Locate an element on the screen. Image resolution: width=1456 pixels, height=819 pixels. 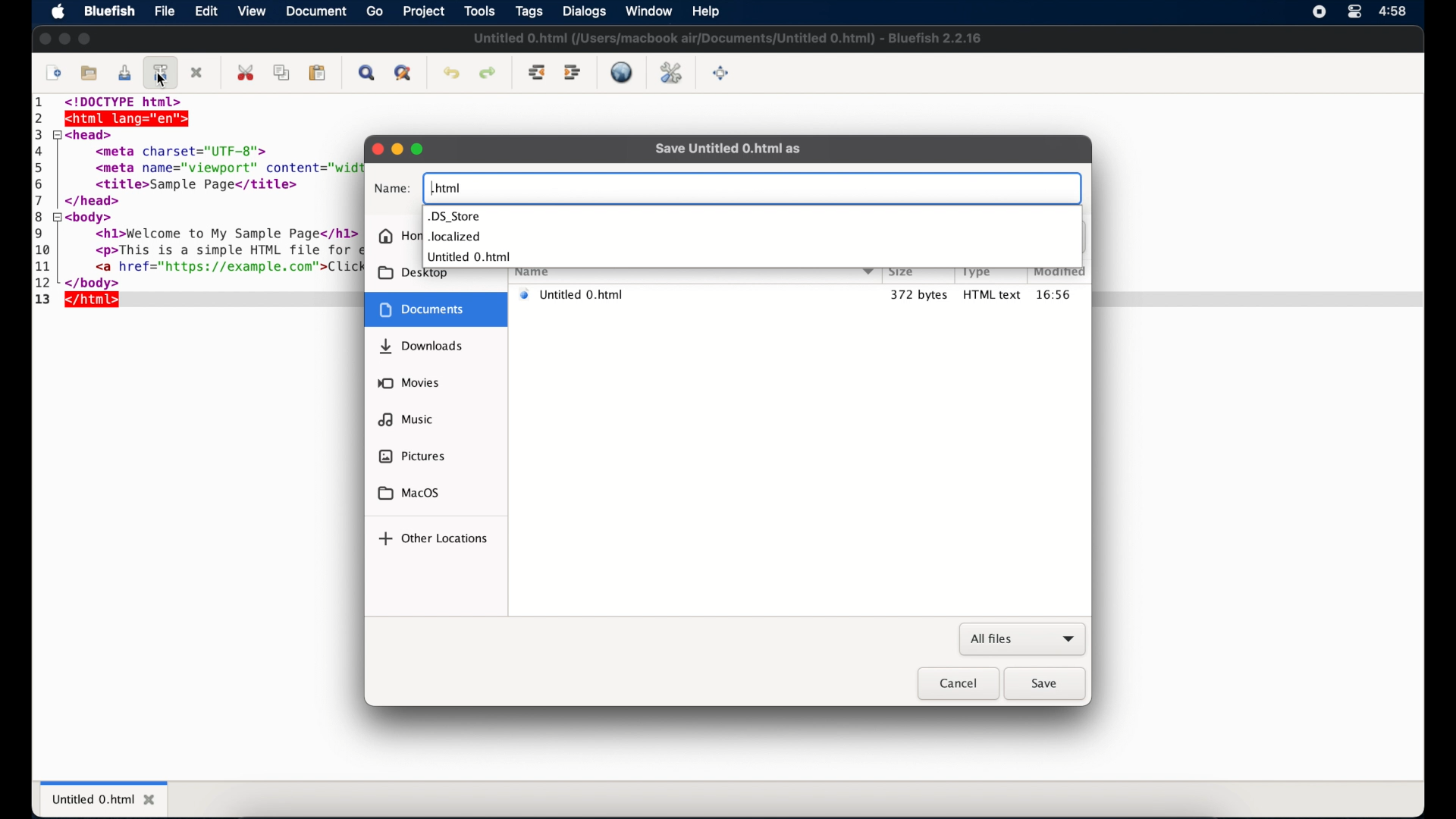
10 is located at coordinates (43, 250).